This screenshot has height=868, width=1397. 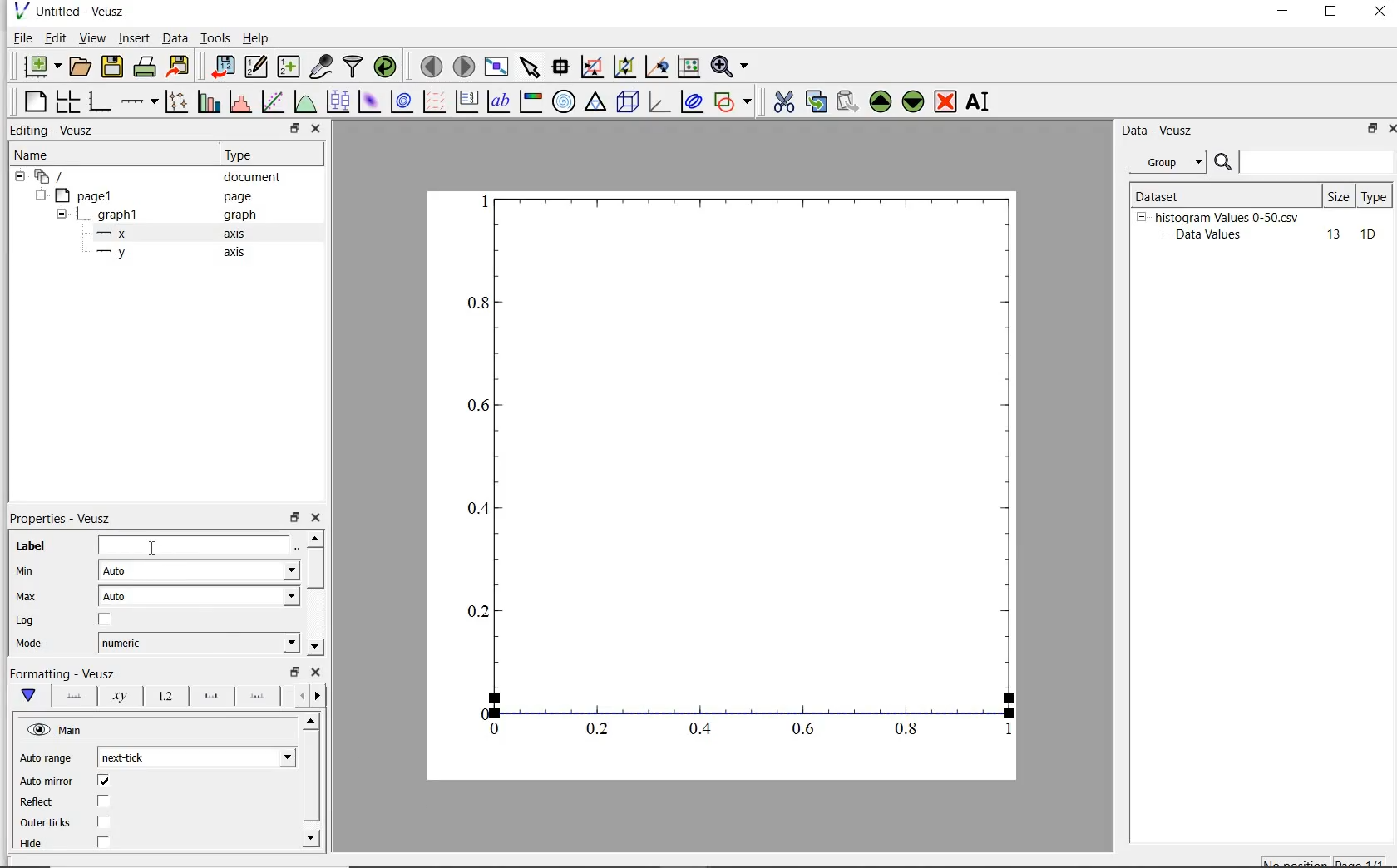 What do you see at coordinates (241, 234) in the screenshot?
I see `axis` at bounding box center [241, 234].